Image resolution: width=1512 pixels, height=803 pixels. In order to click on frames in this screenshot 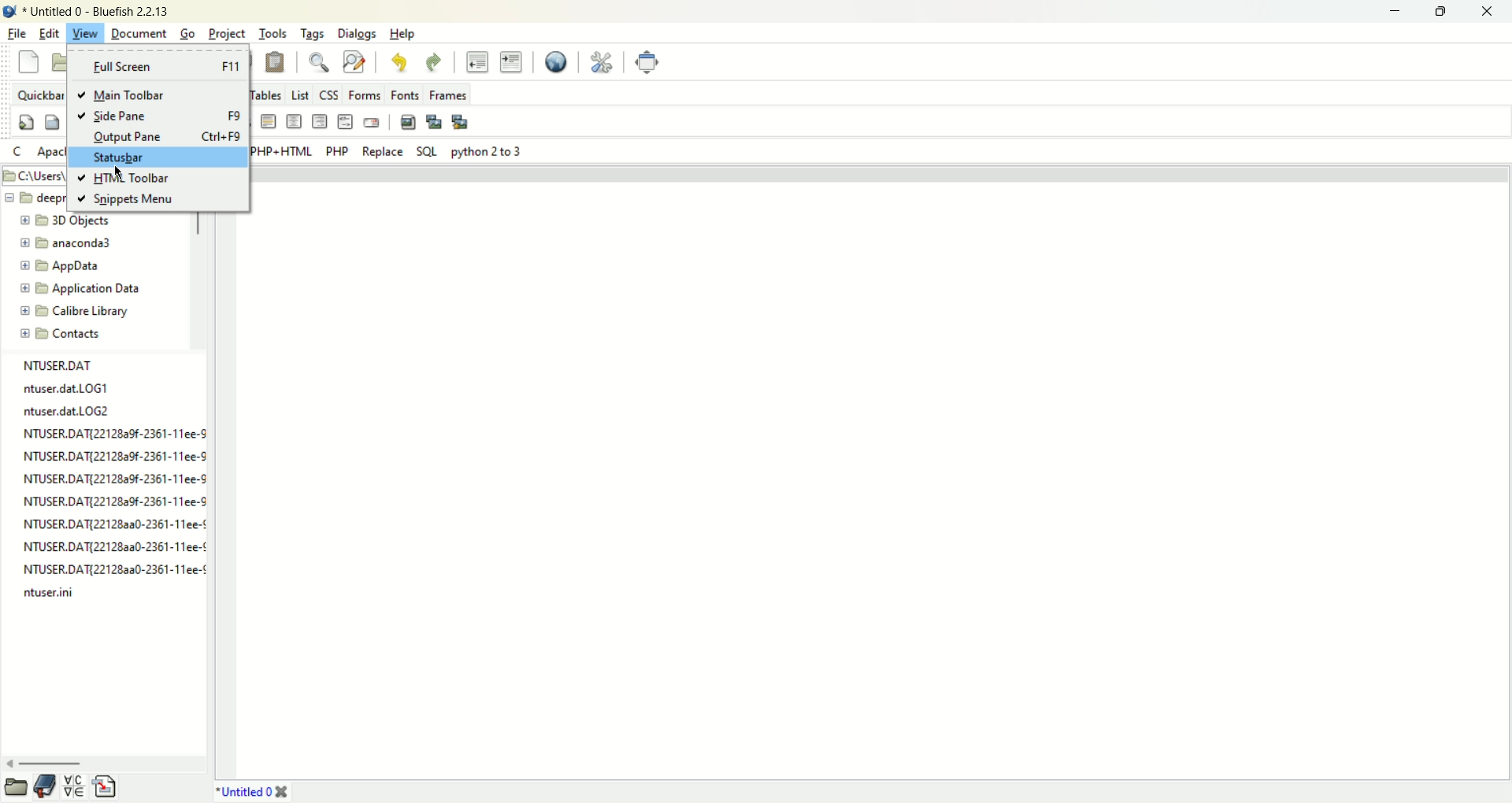, I will do `click(449, 96)`.